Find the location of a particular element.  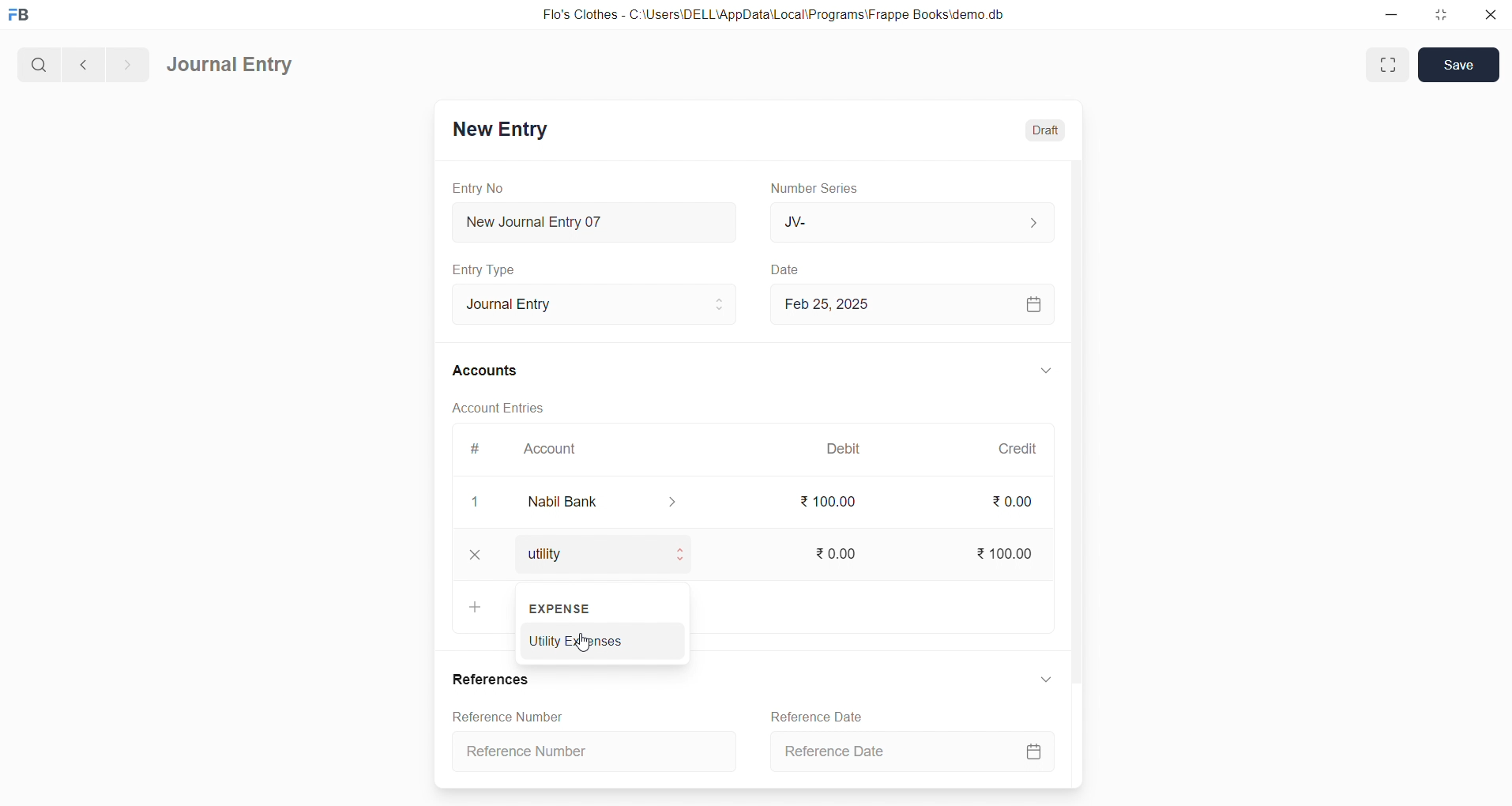

# is located at coordinates (473, 449).